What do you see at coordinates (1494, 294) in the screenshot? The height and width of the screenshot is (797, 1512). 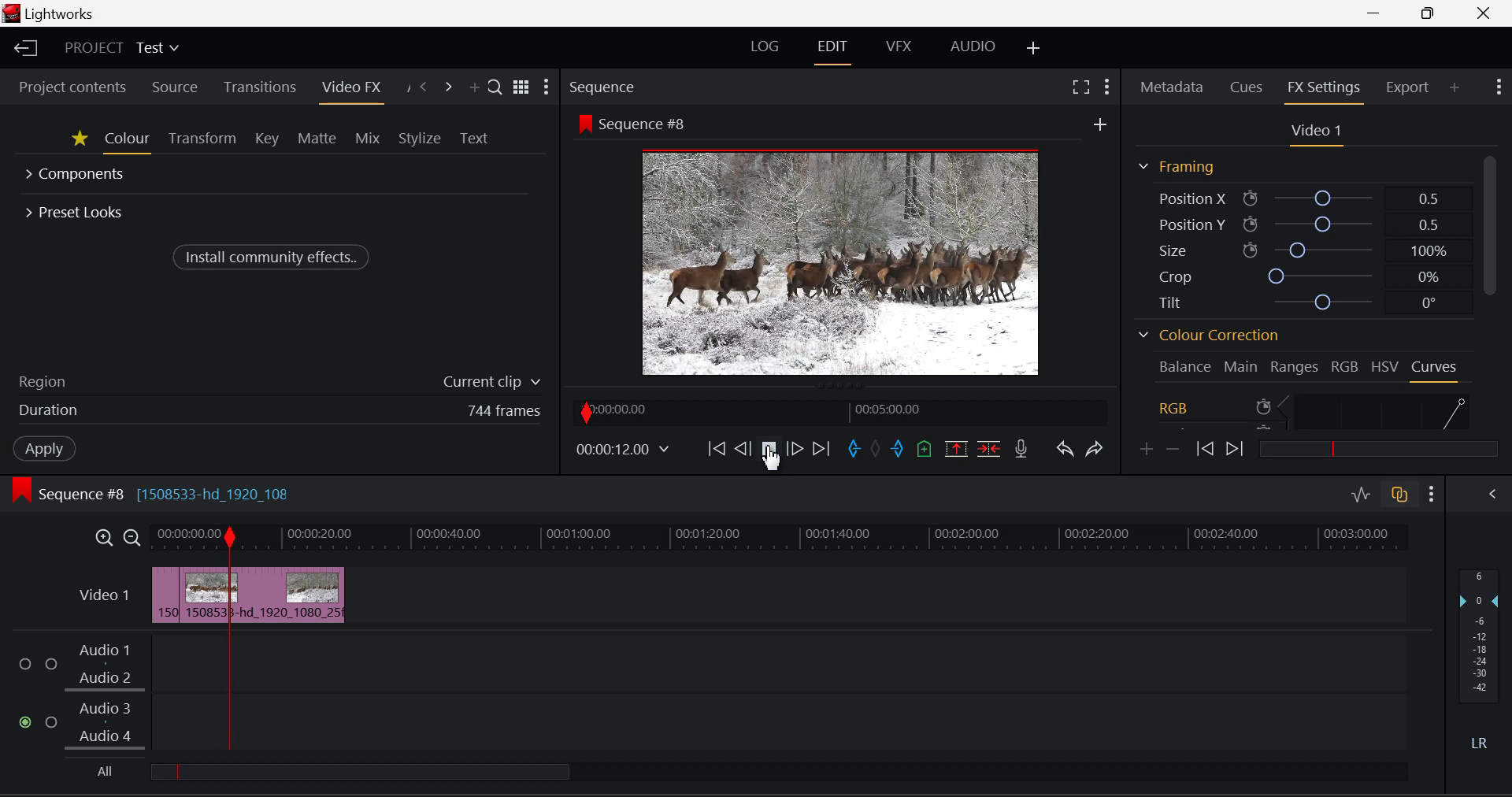 I see `Scroll Bar` at bounding box center [1494, 294].